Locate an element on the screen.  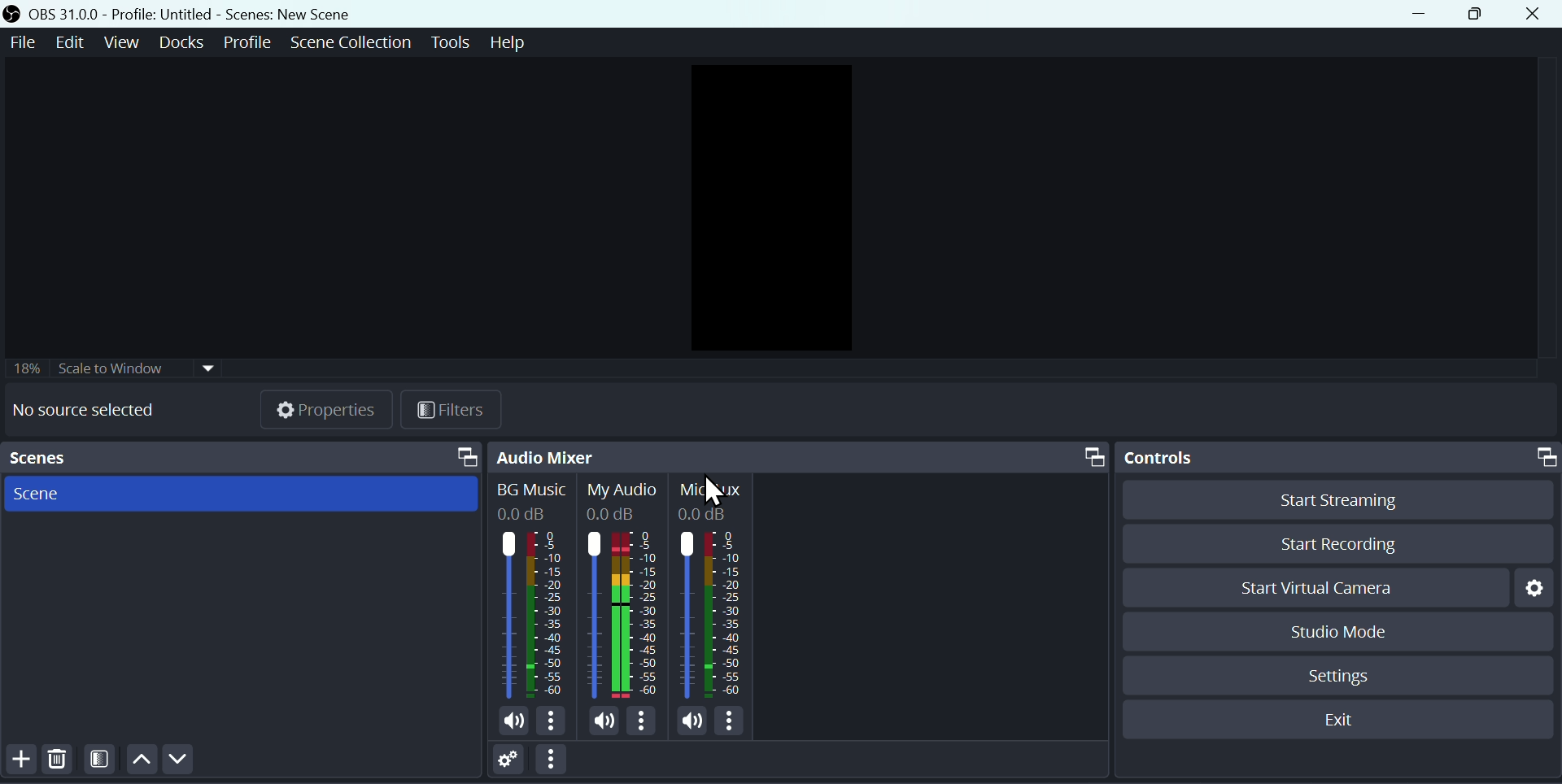
OBS 31.0.0 Profile: Untitled - Scenes: New Scene is located at coordinates (200, 11).